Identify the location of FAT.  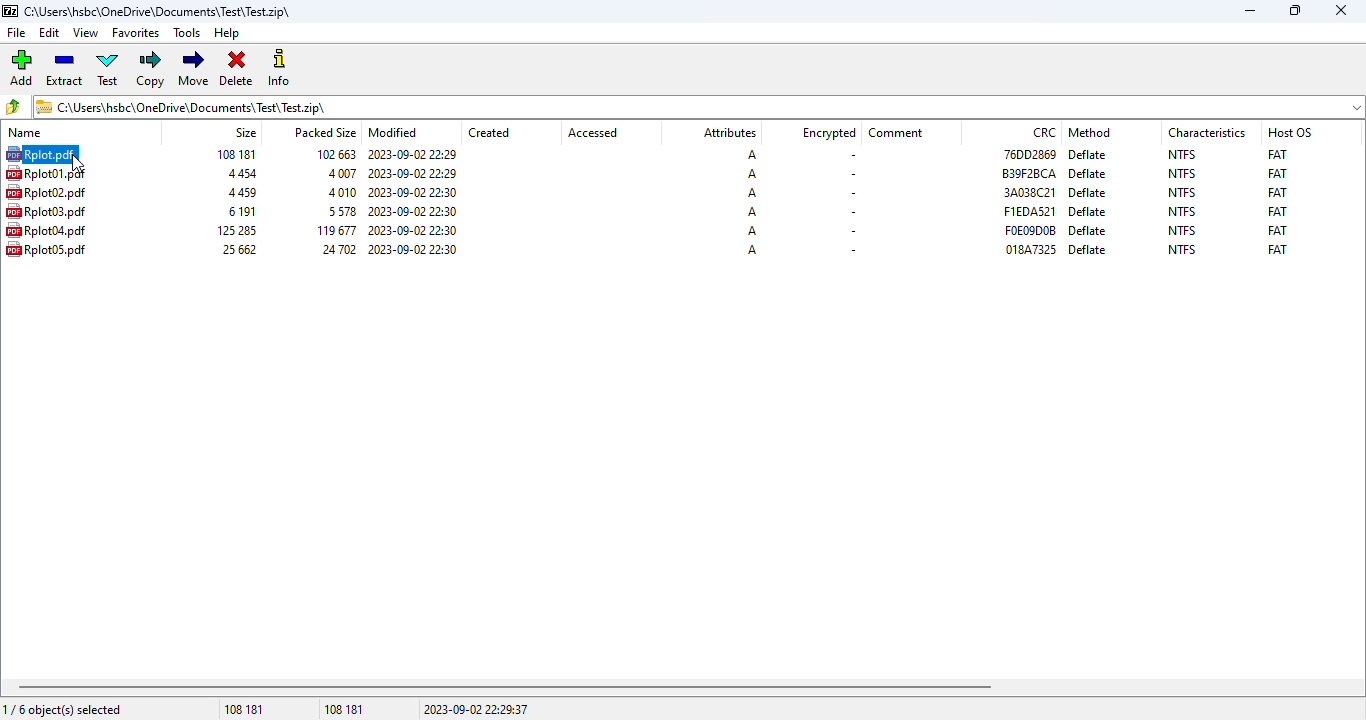
(1277, 230).